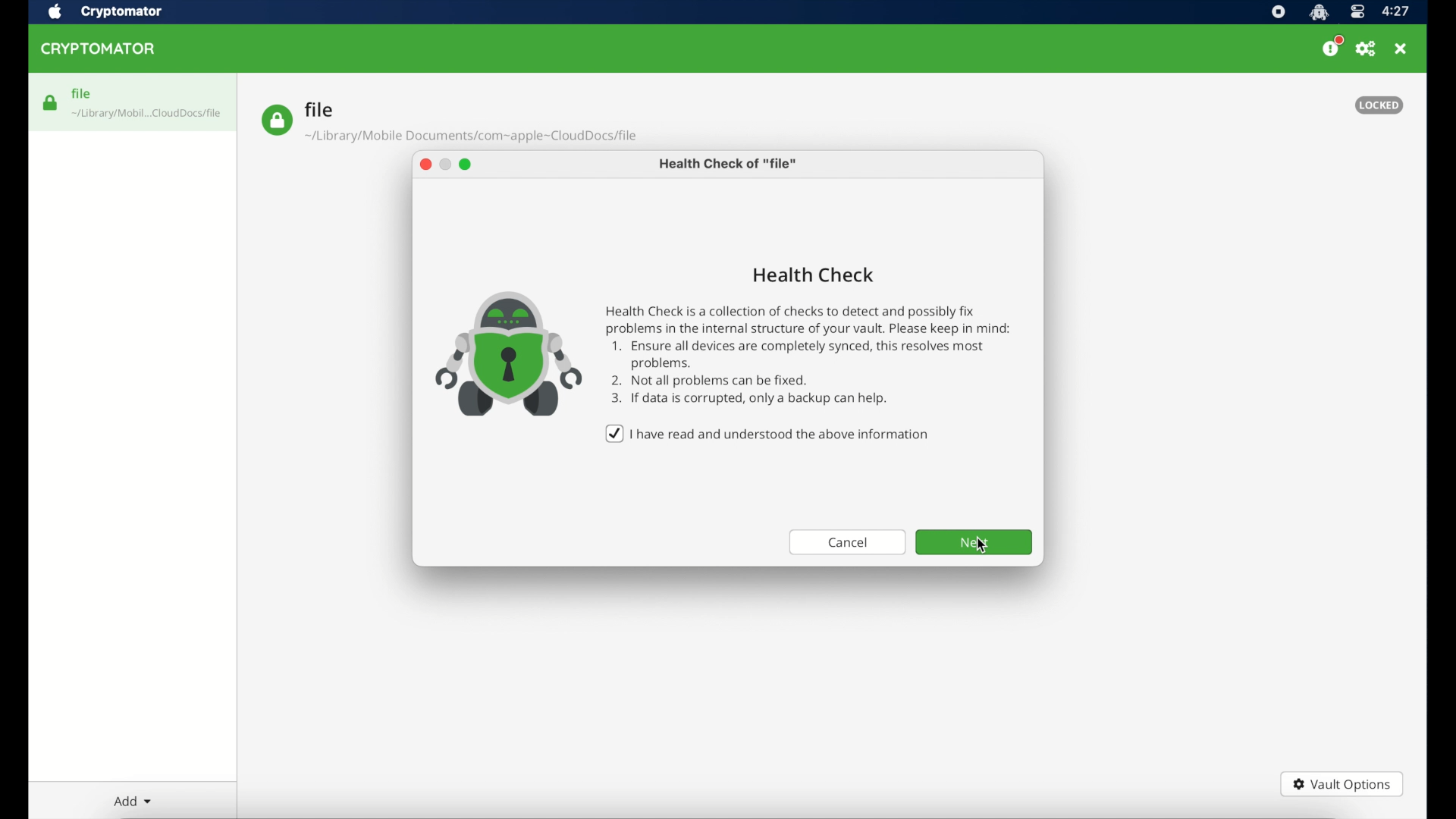 This screenshot has width=1456, height=819. Describe the element at coordinates (501, 346) in the screenshot. I see `icon` at that location.